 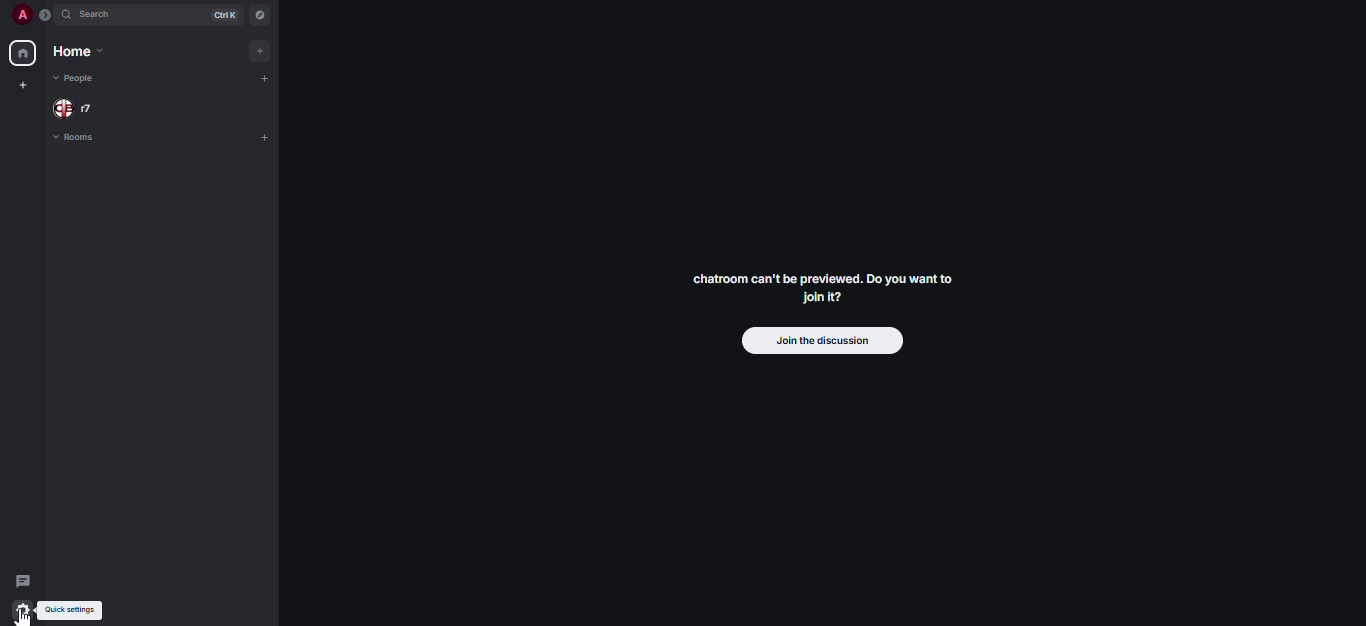 I want to click on people, so click(x=74, y=107).